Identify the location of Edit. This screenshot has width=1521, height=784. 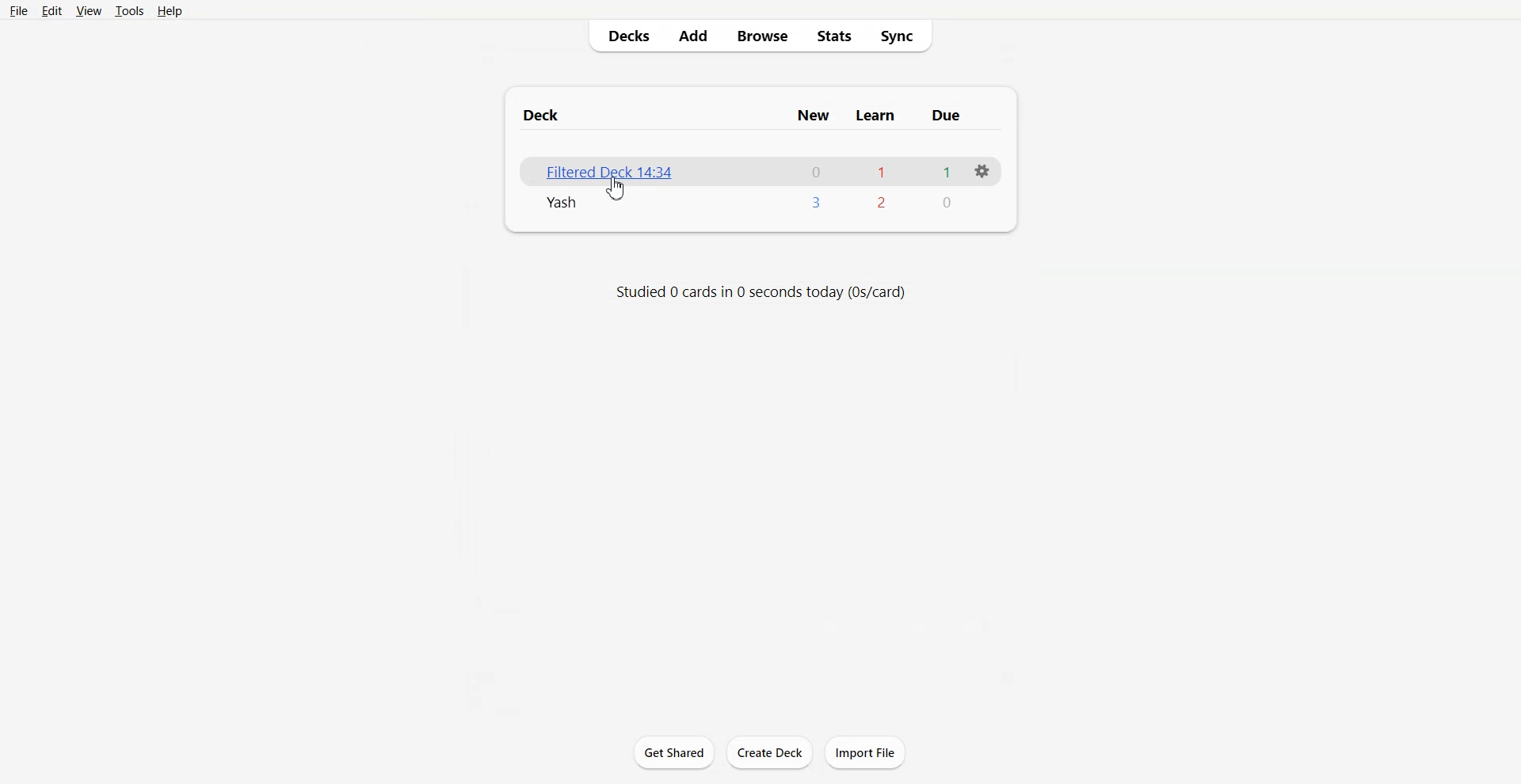
(51, 10).